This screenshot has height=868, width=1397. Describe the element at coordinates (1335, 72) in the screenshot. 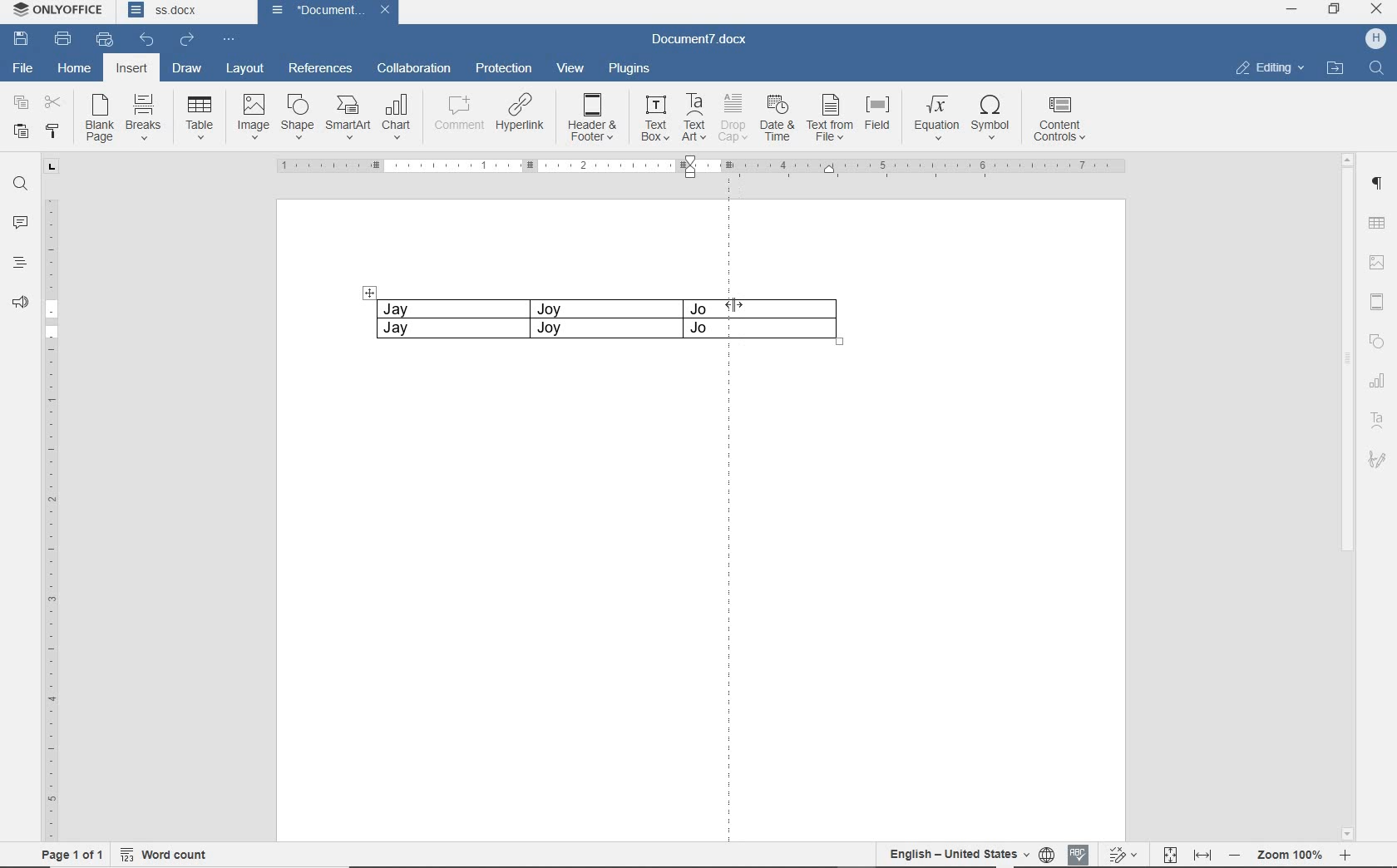

I see `OPEN FILE LOCATION` at that location.